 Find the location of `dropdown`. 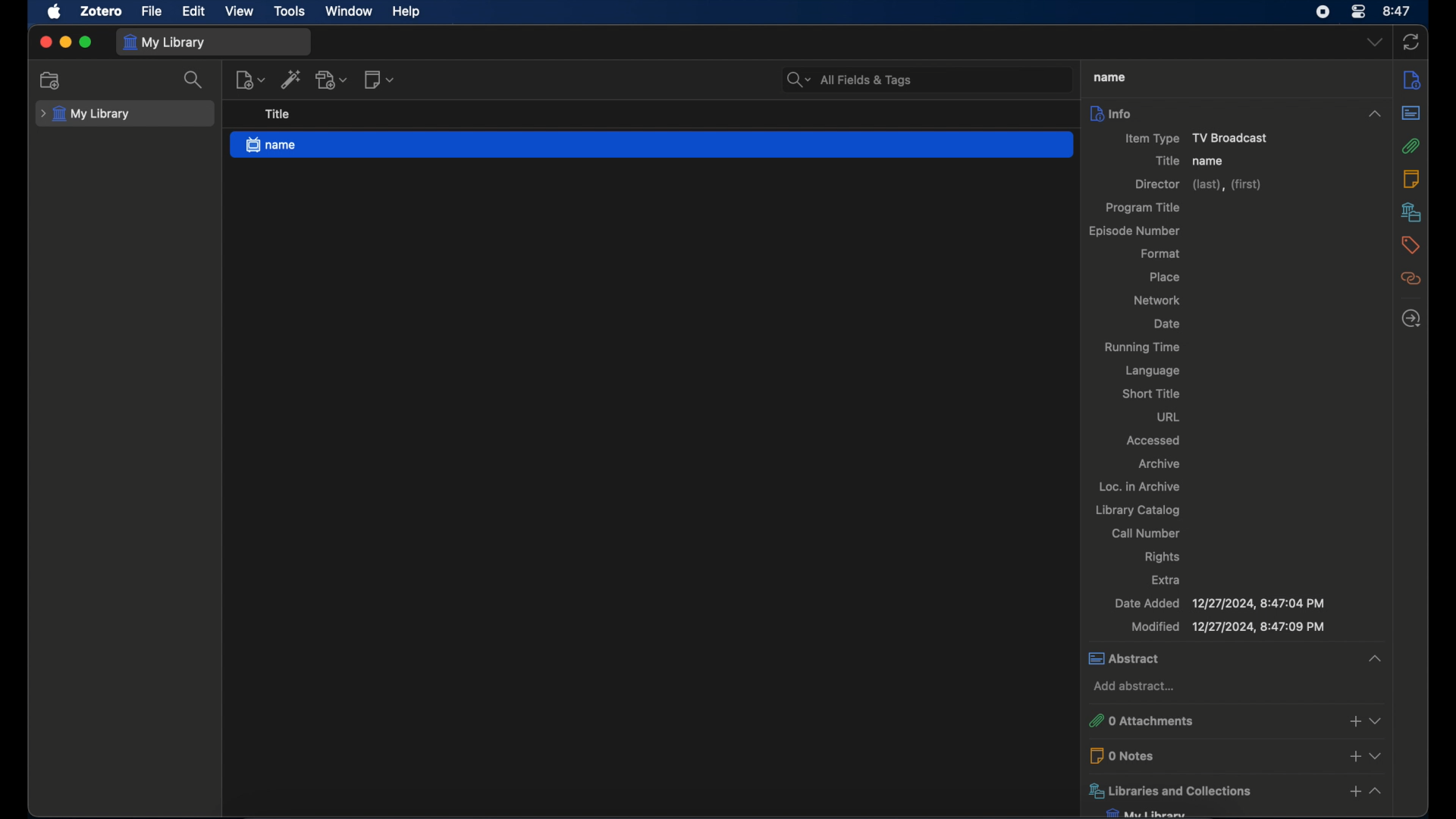

dropdown is located at coordinates (1374, 42).